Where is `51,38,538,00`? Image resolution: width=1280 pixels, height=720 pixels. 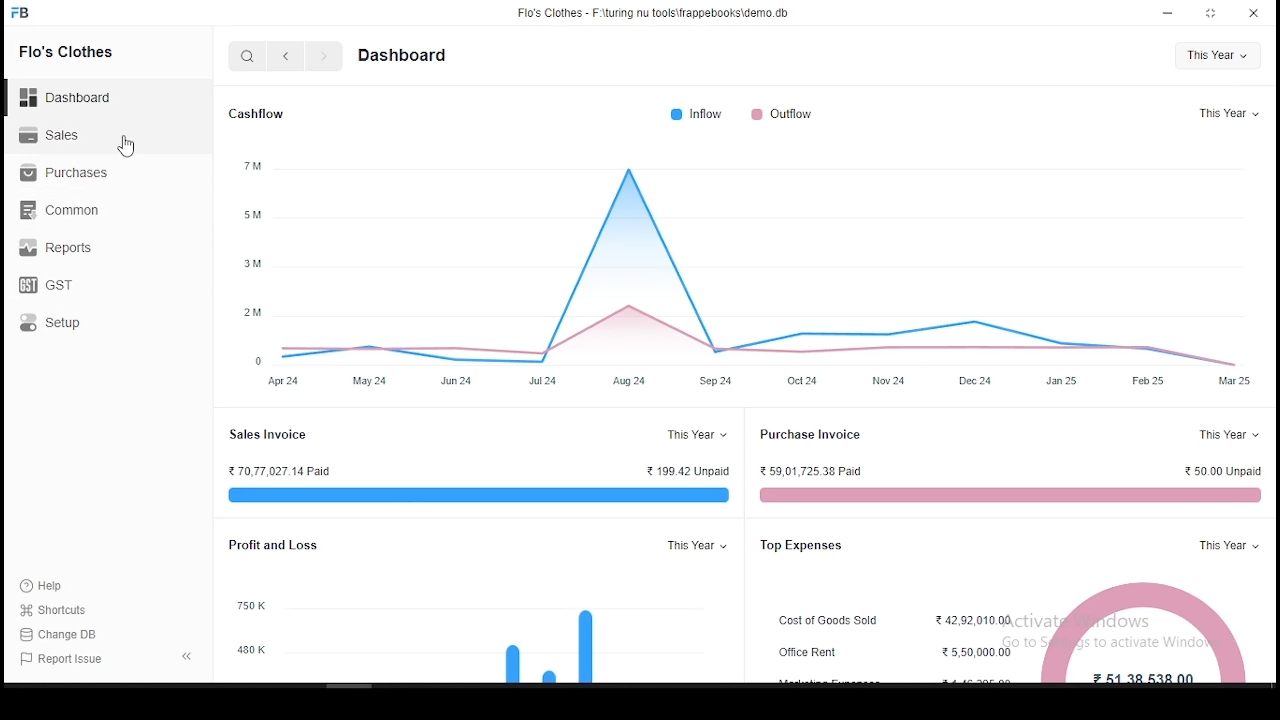
51,38,538,00 is located at coordinates (1144, 629).